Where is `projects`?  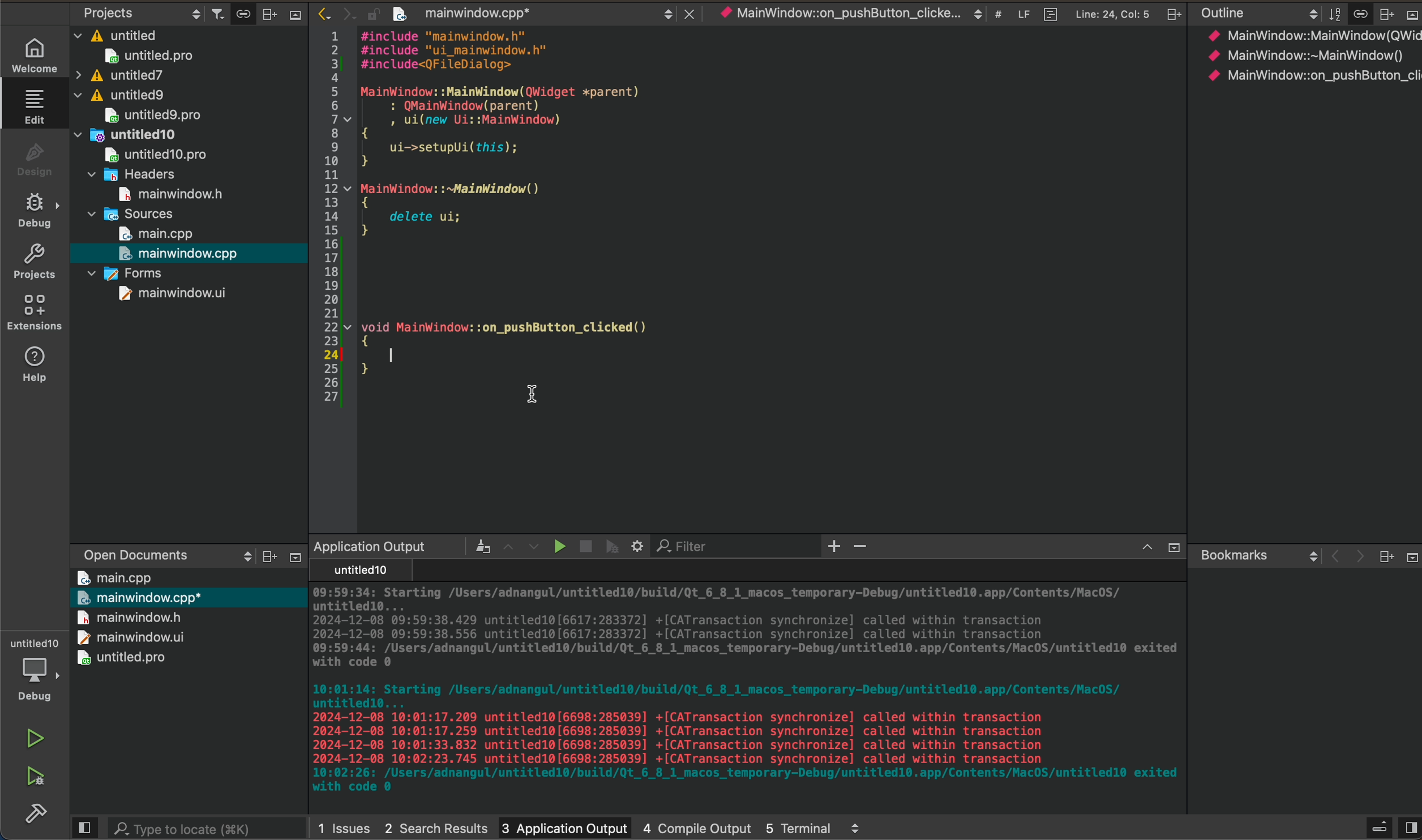 projects is located at coordinates (34, 261).